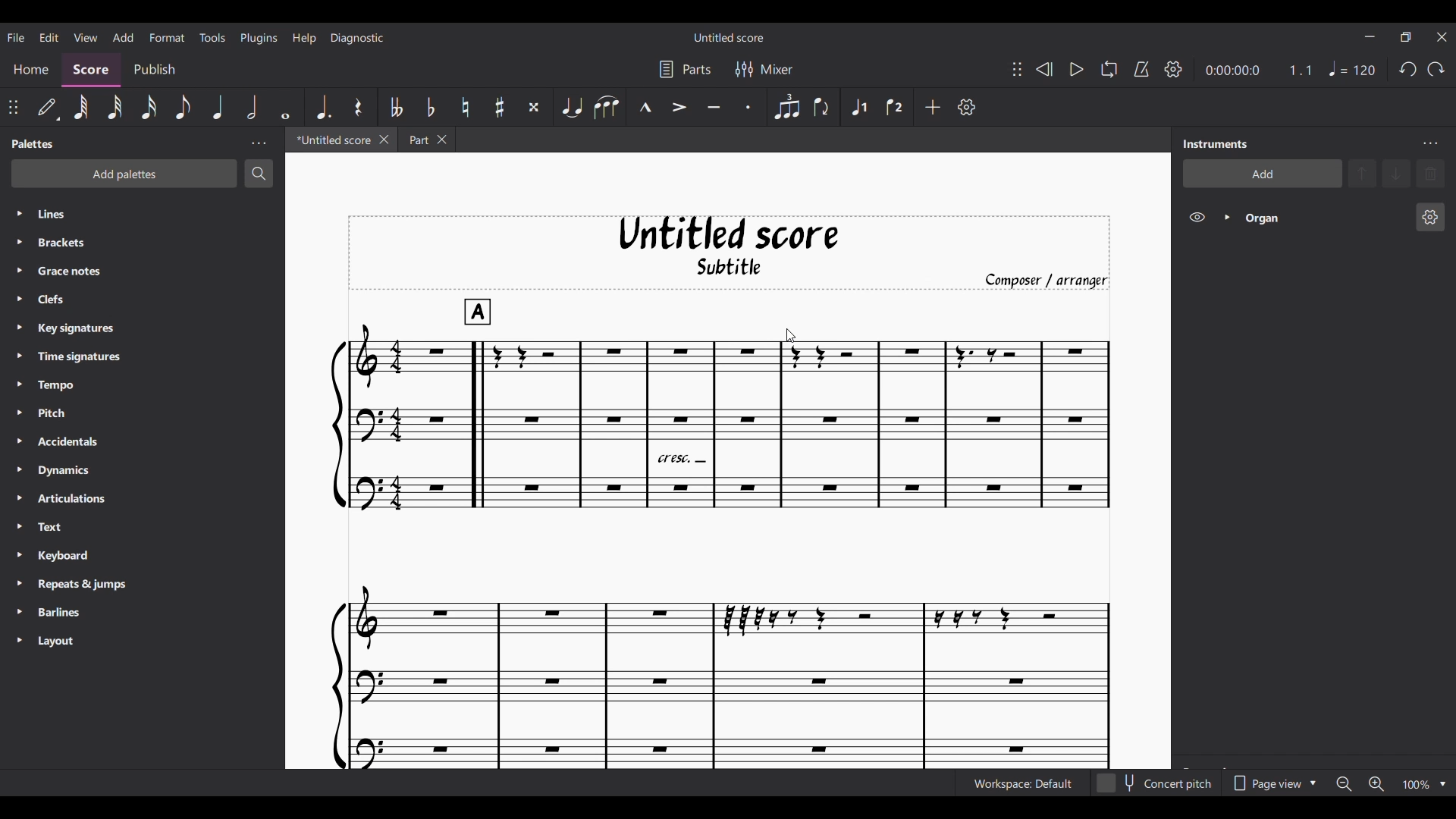 Image resolution: width=1456 pixels, height=819 pixels. Describe the element at coordinates (1430, 144) in the screenshot. I see `Instrument panel settings` at that location.